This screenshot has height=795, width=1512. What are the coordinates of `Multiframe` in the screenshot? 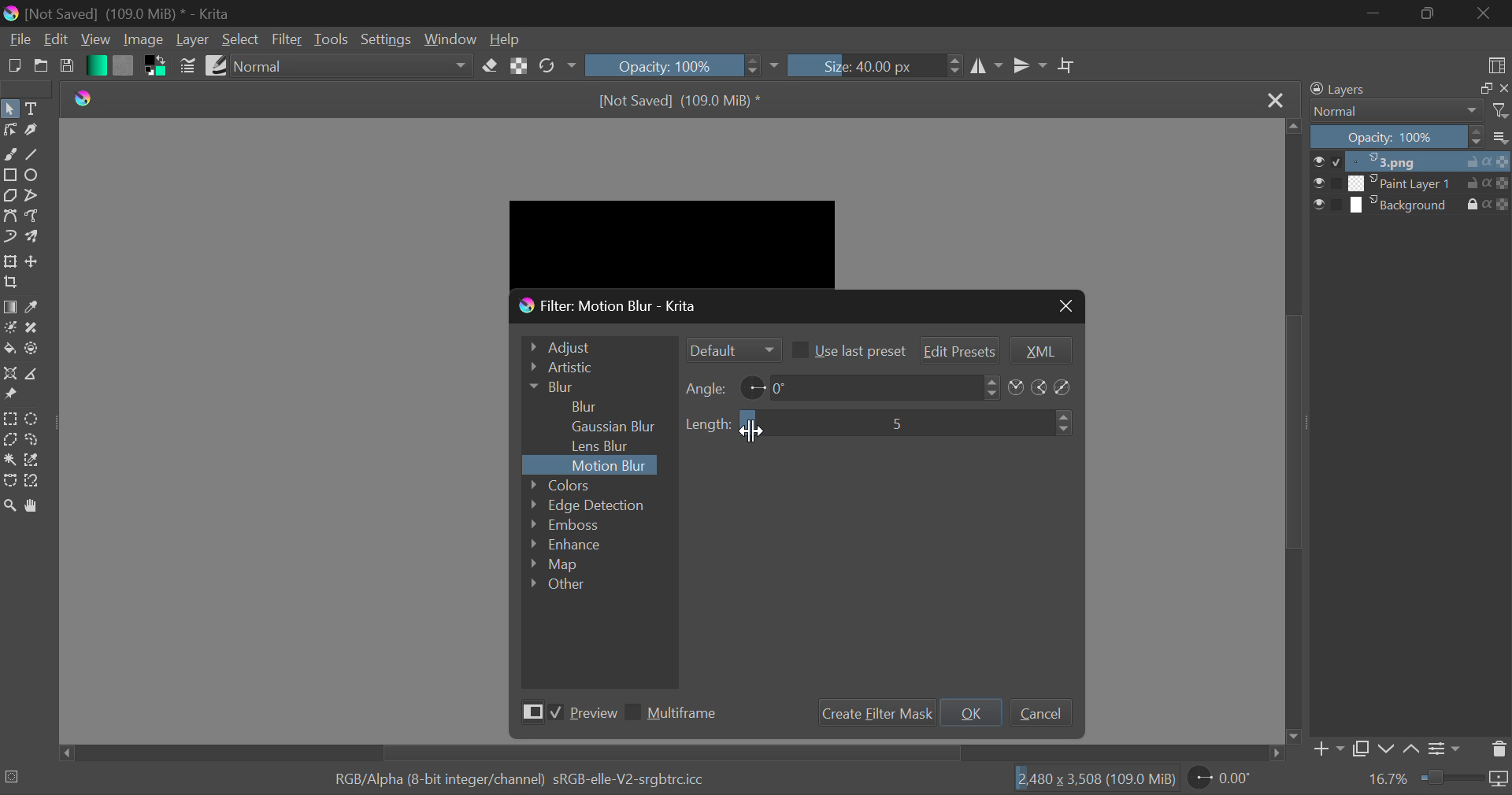 It's located at (676, 715).